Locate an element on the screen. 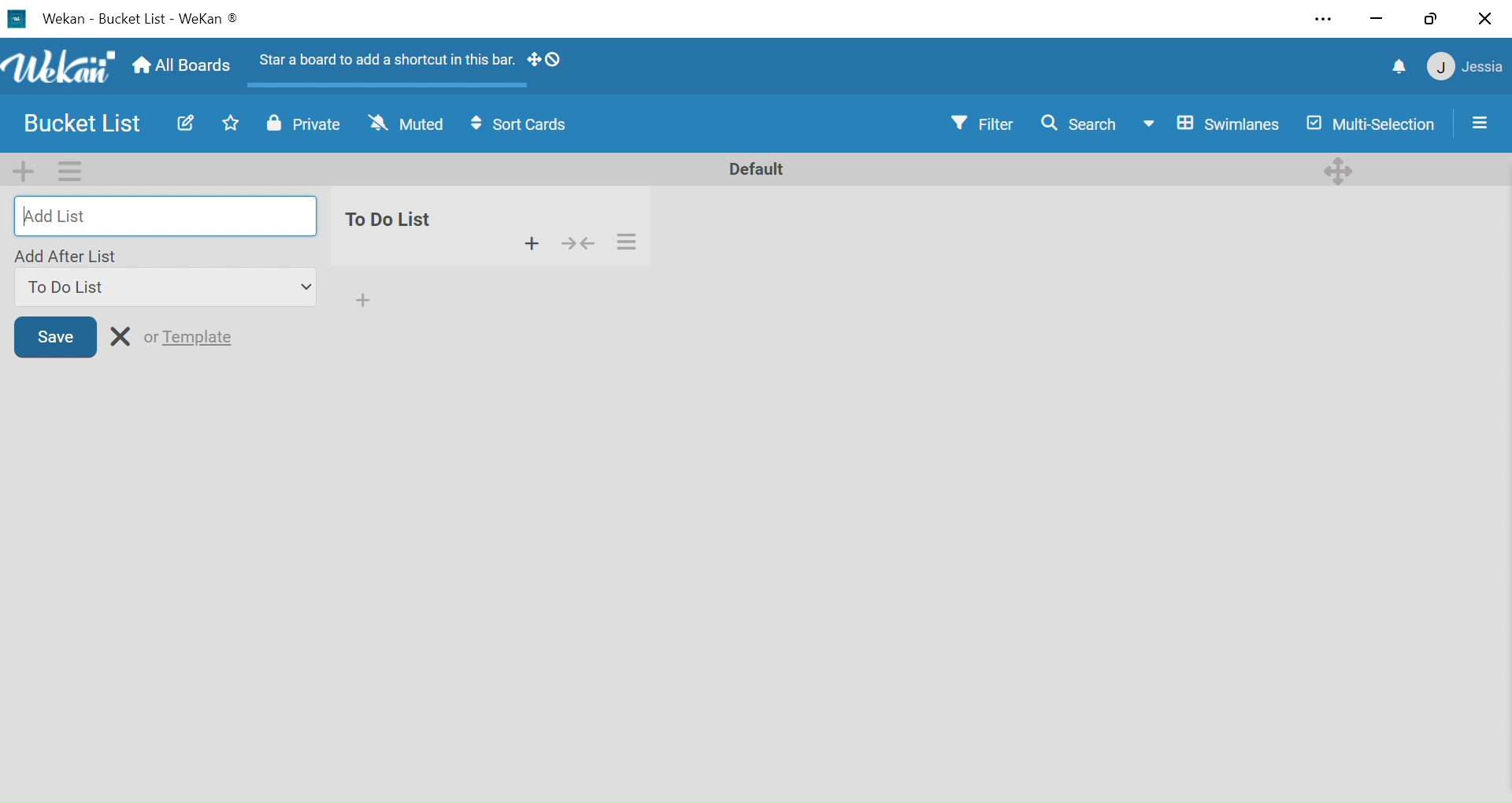  (un)mute is located at coordinates (406, 127).